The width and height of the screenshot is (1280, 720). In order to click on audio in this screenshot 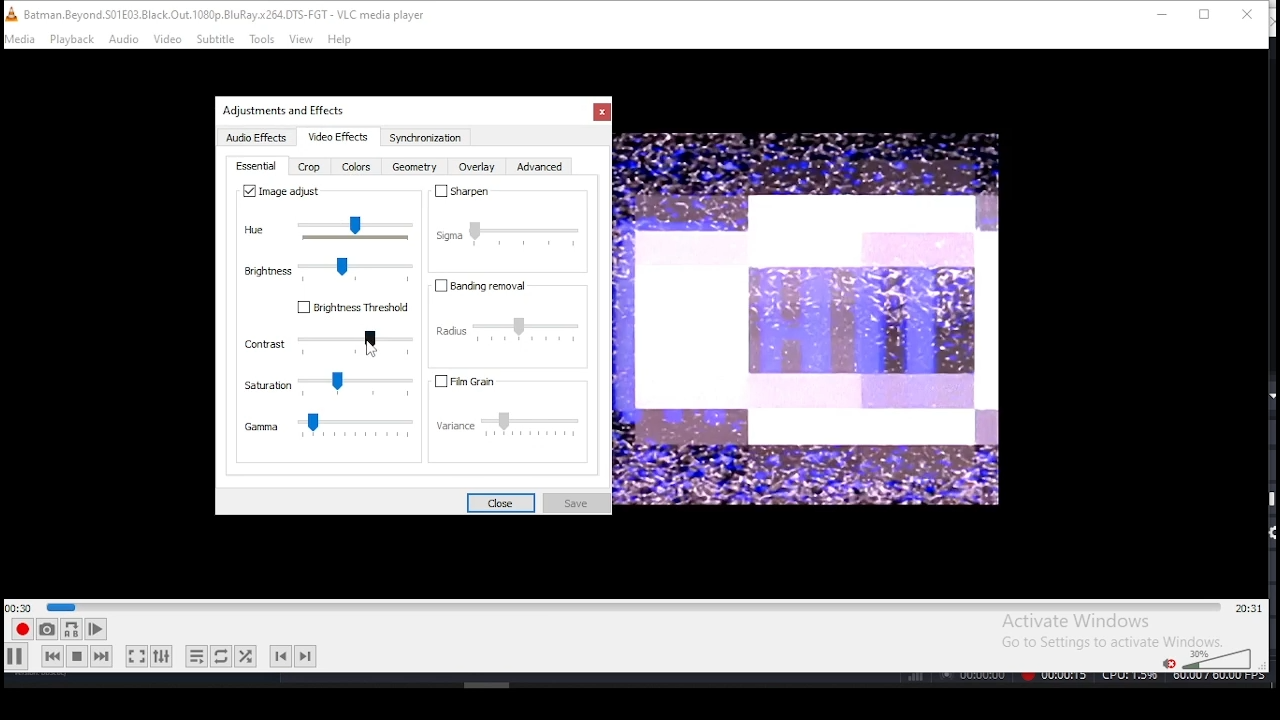, I will do `click(125, 40)`.